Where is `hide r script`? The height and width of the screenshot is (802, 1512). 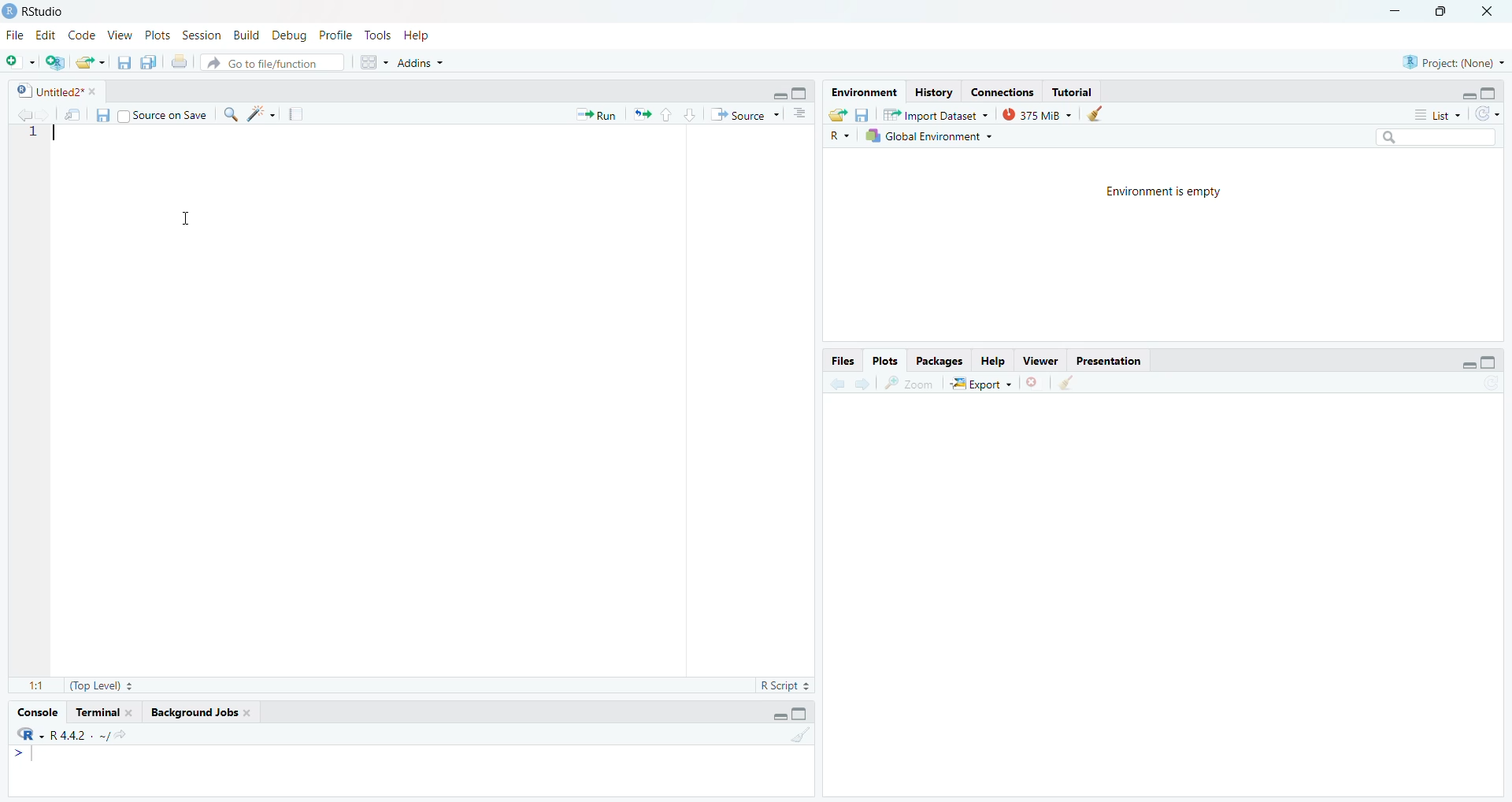 hide r script is located at coordinates (777, 95).